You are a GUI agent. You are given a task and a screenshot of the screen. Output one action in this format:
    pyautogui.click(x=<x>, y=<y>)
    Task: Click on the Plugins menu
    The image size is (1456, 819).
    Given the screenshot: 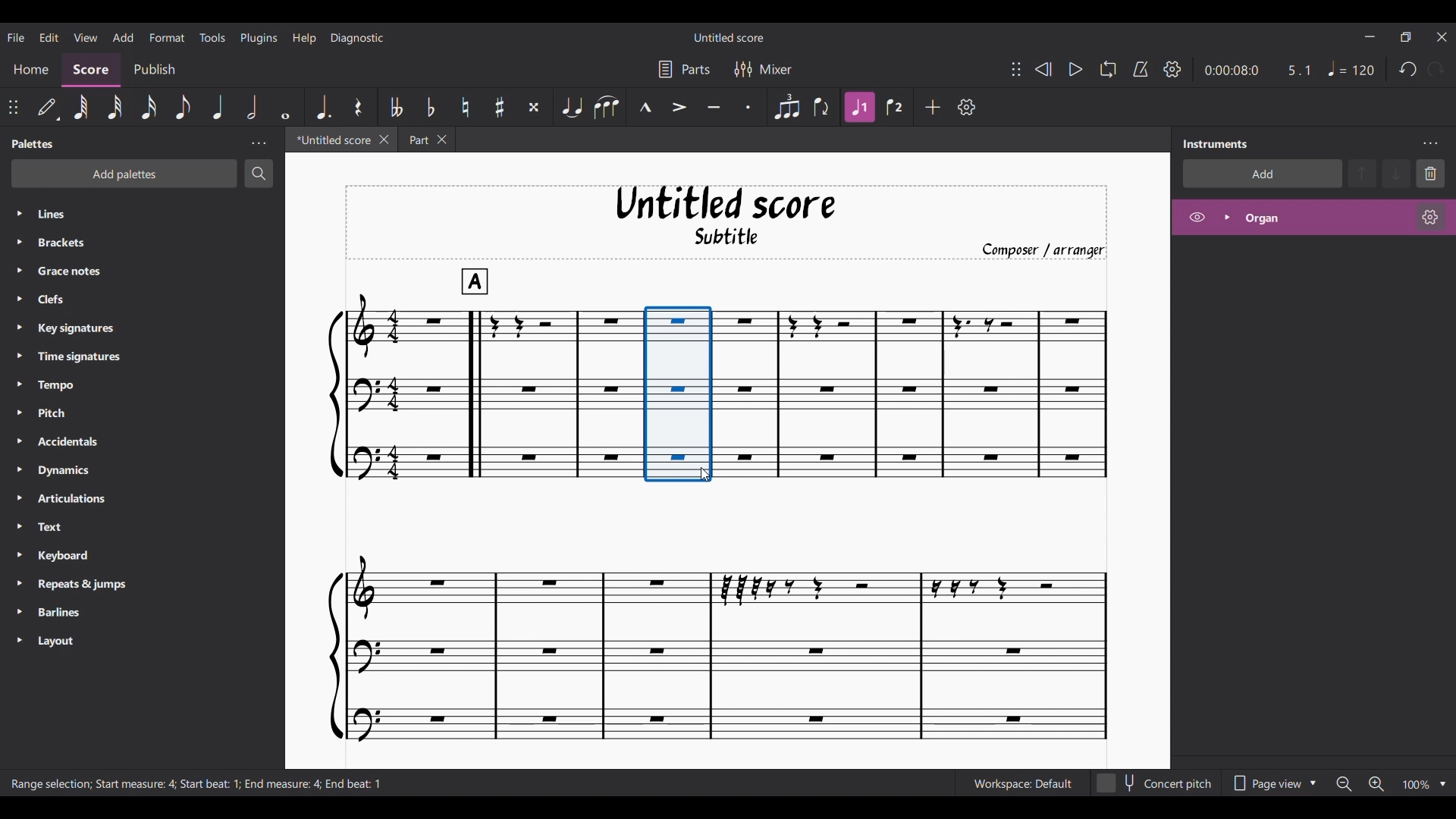 What is the action you would take?
    pyautogui.click(x=259, y=37)
    